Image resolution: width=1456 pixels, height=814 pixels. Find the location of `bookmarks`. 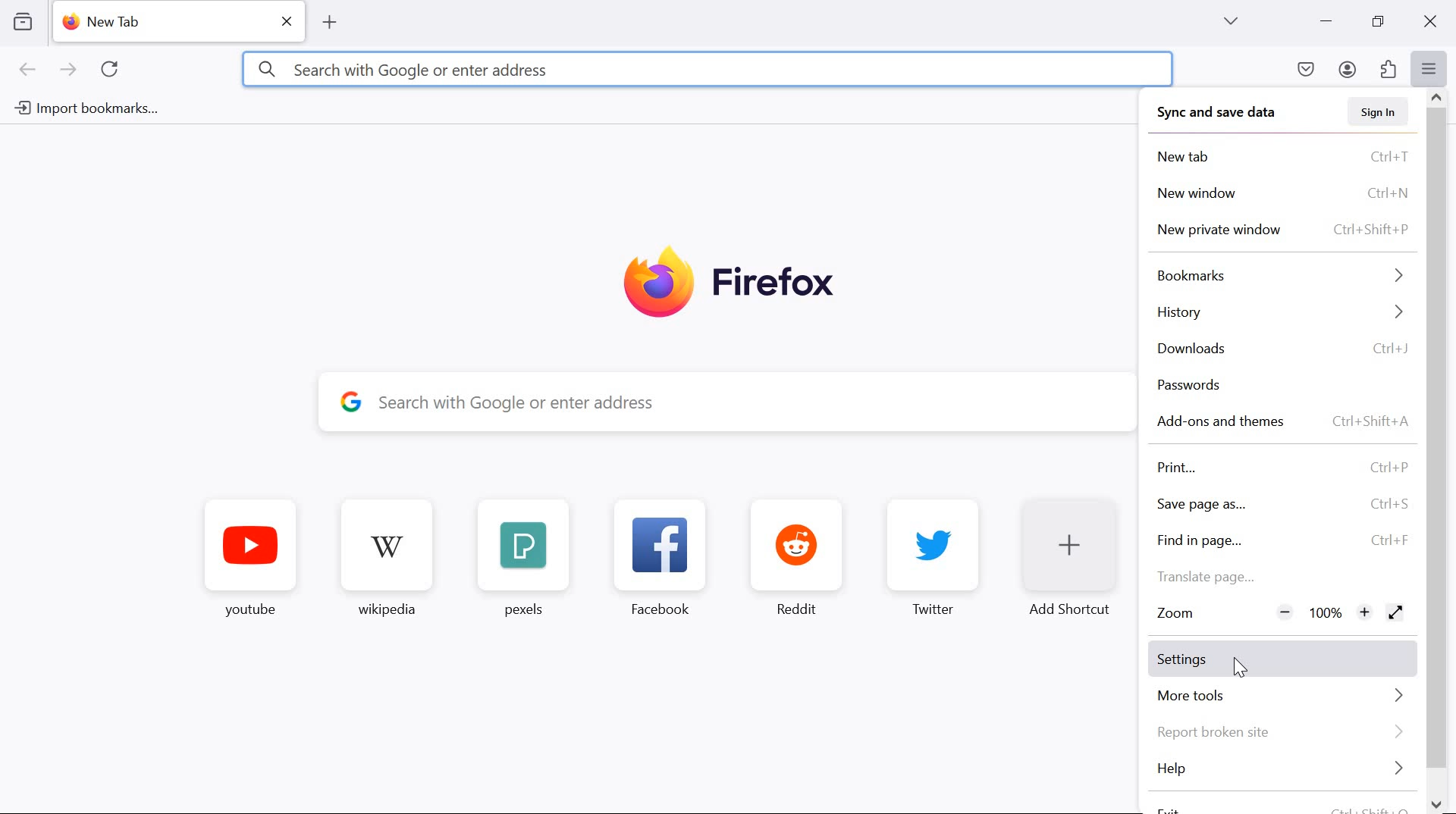

bookmarks is located at coordinates (1282, 275).